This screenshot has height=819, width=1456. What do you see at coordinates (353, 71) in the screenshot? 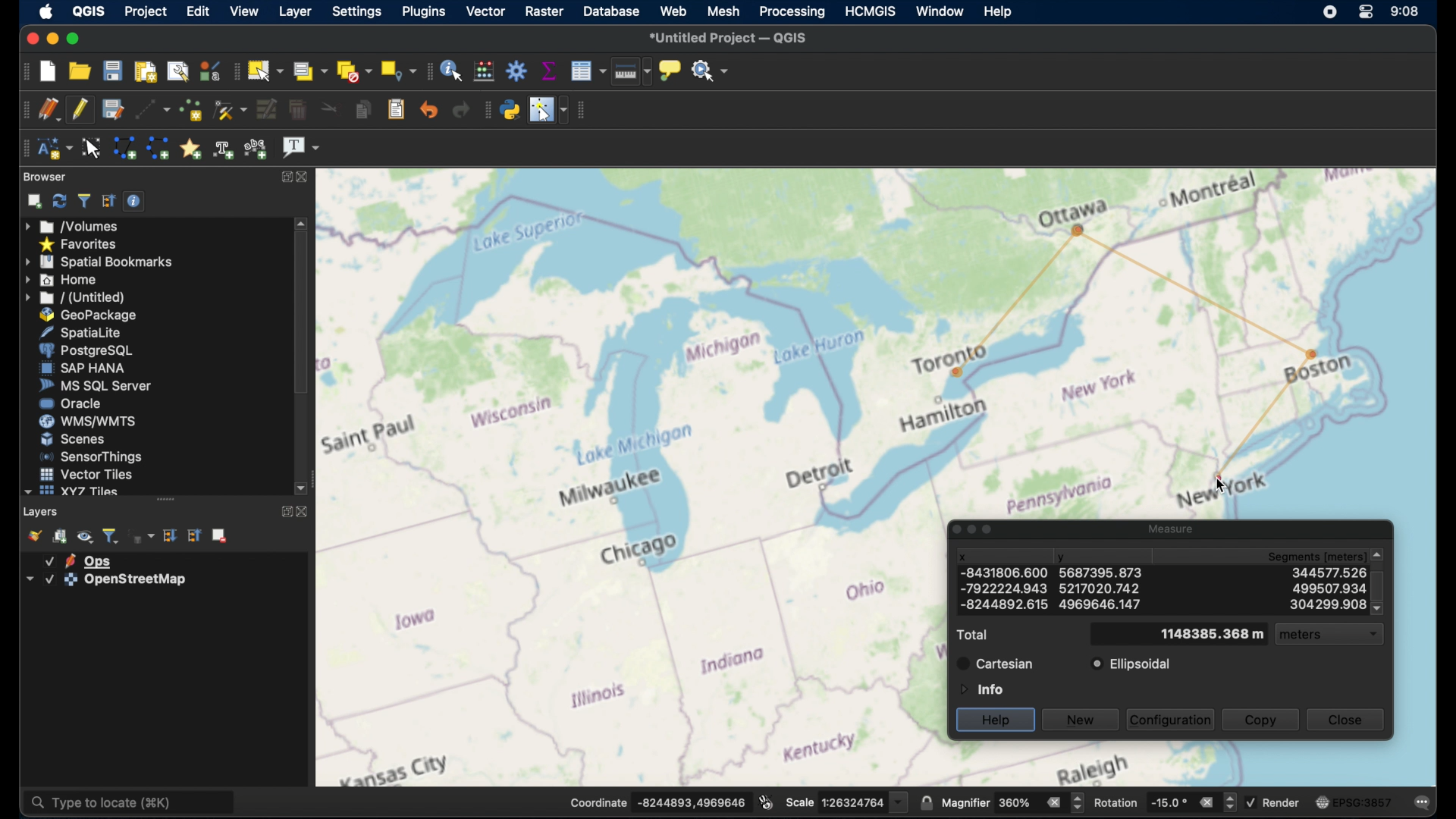
I see `deselect features from all layers` at bounding box center [353, 71].